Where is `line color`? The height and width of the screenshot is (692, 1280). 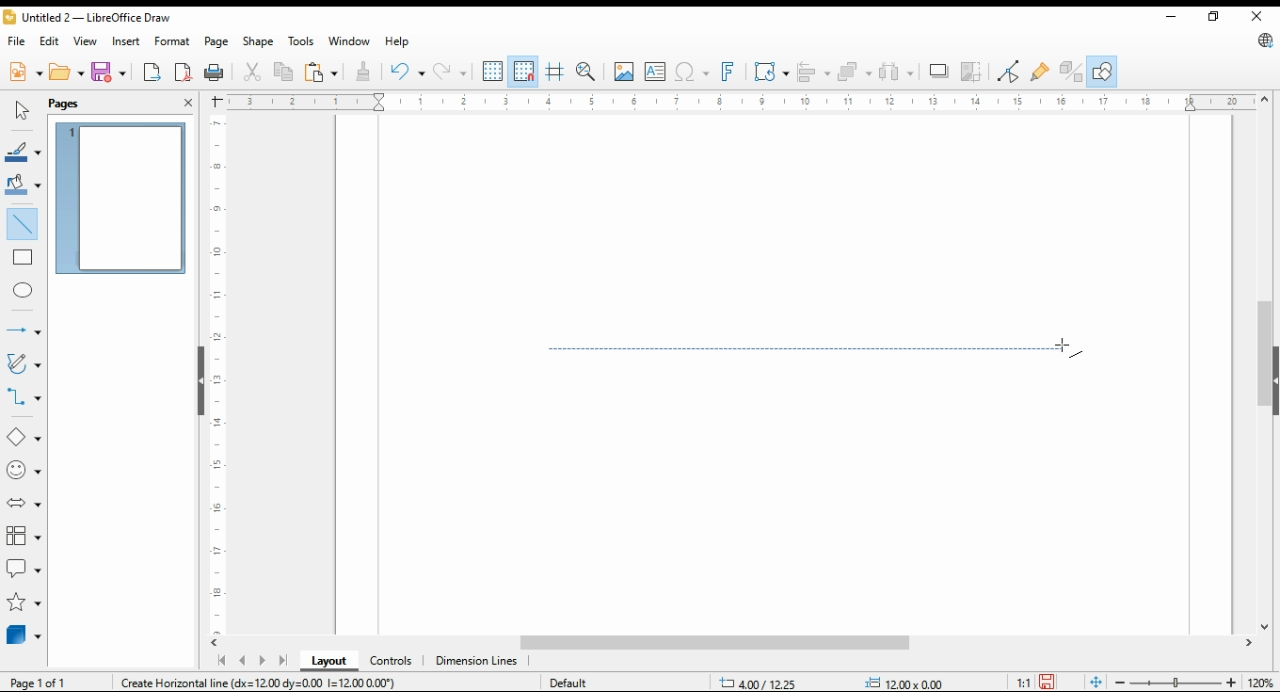
line color is located at coordinates (23, 150).